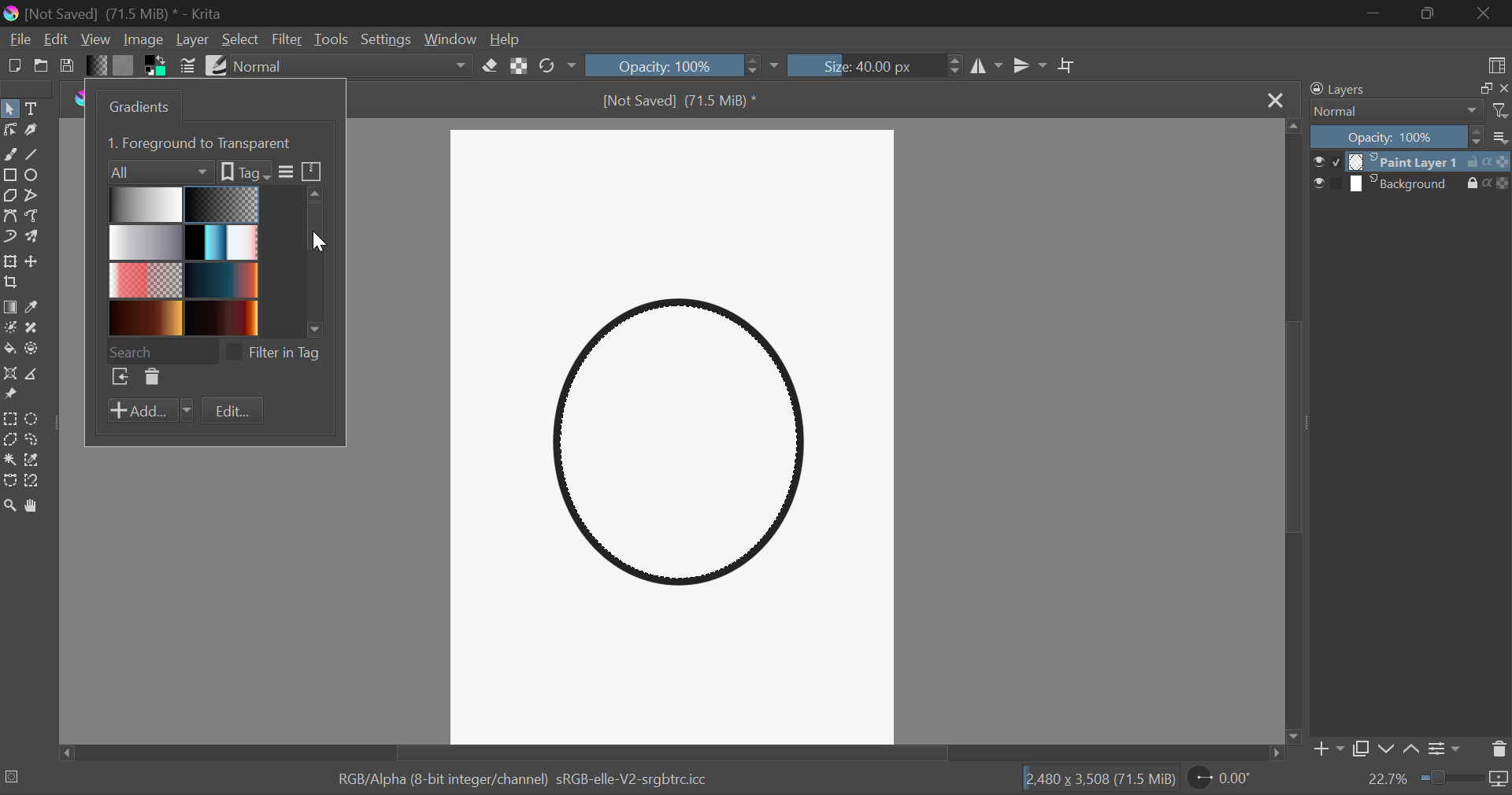  Describe the element at coordinates (350, 65) in the screenshot. I see `Blending Modes` at that location.